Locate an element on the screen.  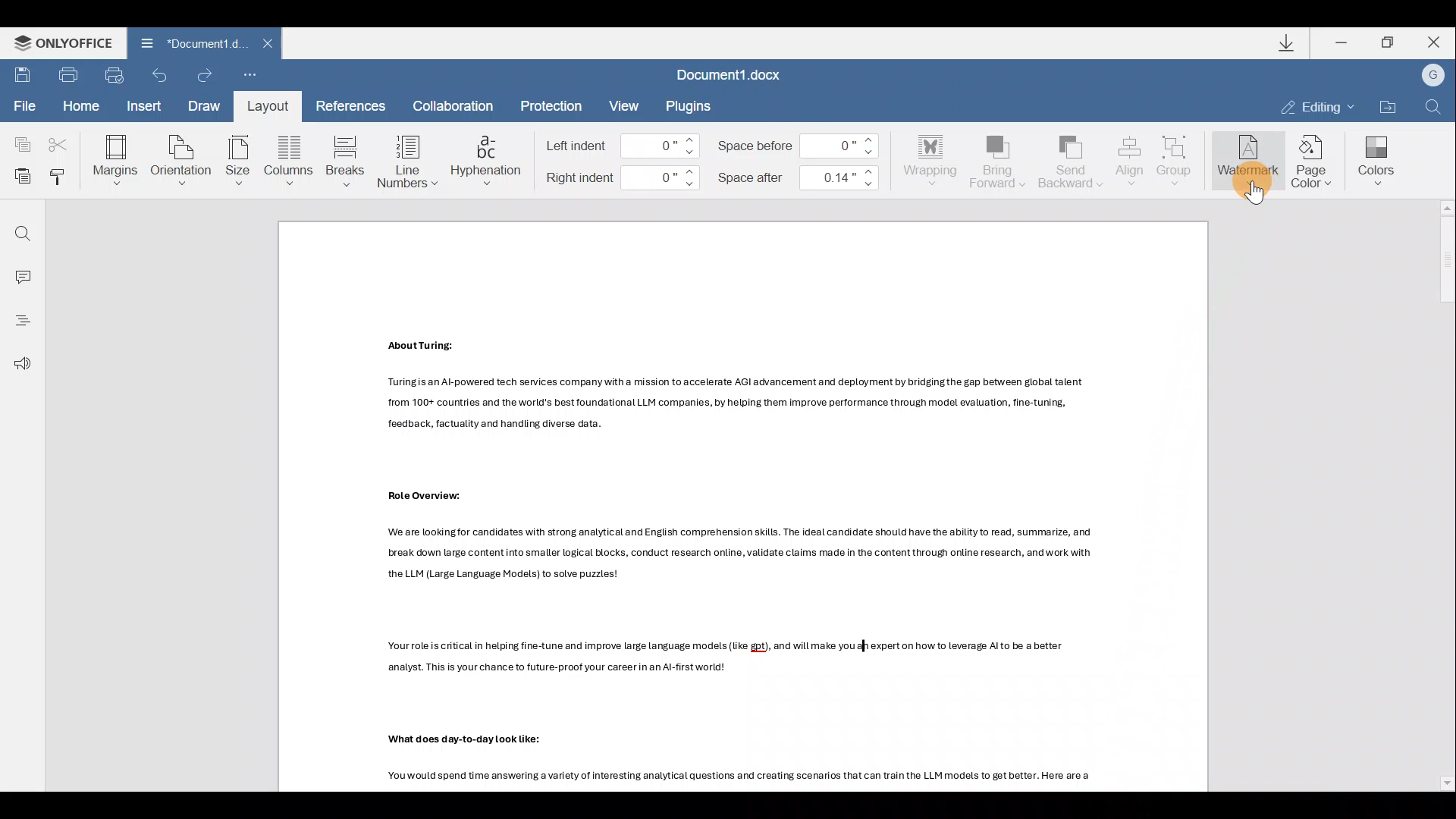
Document1.docx is located at coordinates (733, 74).